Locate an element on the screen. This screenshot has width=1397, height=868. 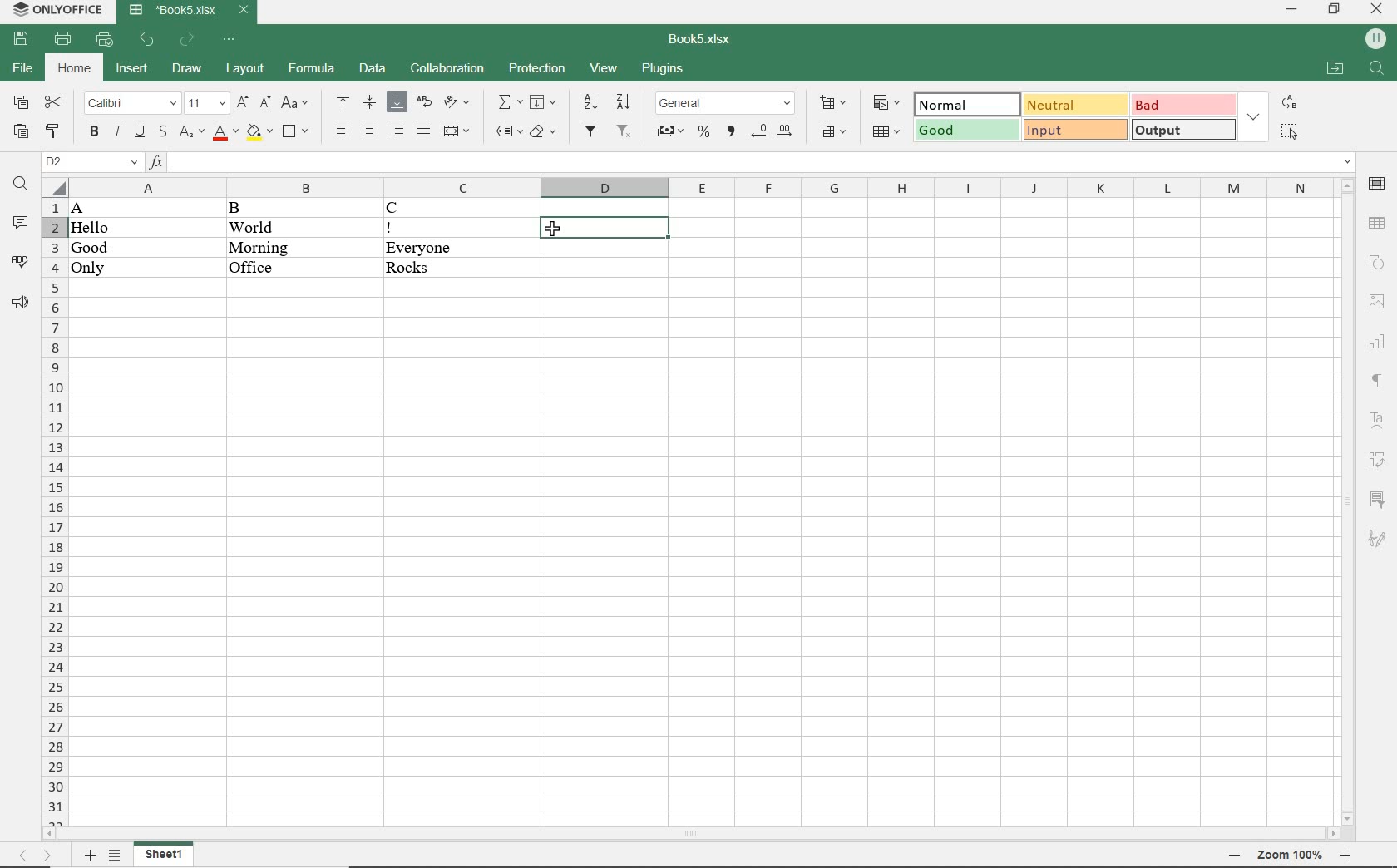
Zoom 100% is located at coordinates (1291, 856).